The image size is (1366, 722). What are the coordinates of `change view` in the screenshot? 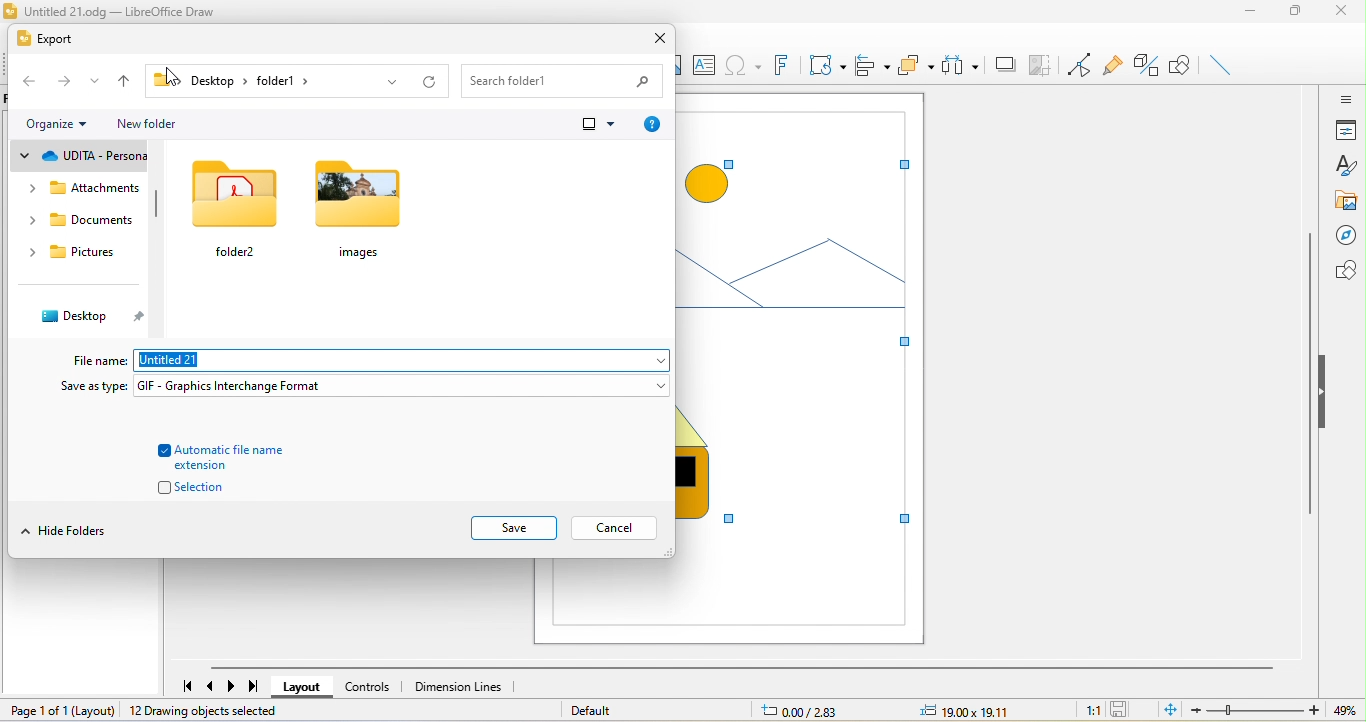 It's located at (596, 123).